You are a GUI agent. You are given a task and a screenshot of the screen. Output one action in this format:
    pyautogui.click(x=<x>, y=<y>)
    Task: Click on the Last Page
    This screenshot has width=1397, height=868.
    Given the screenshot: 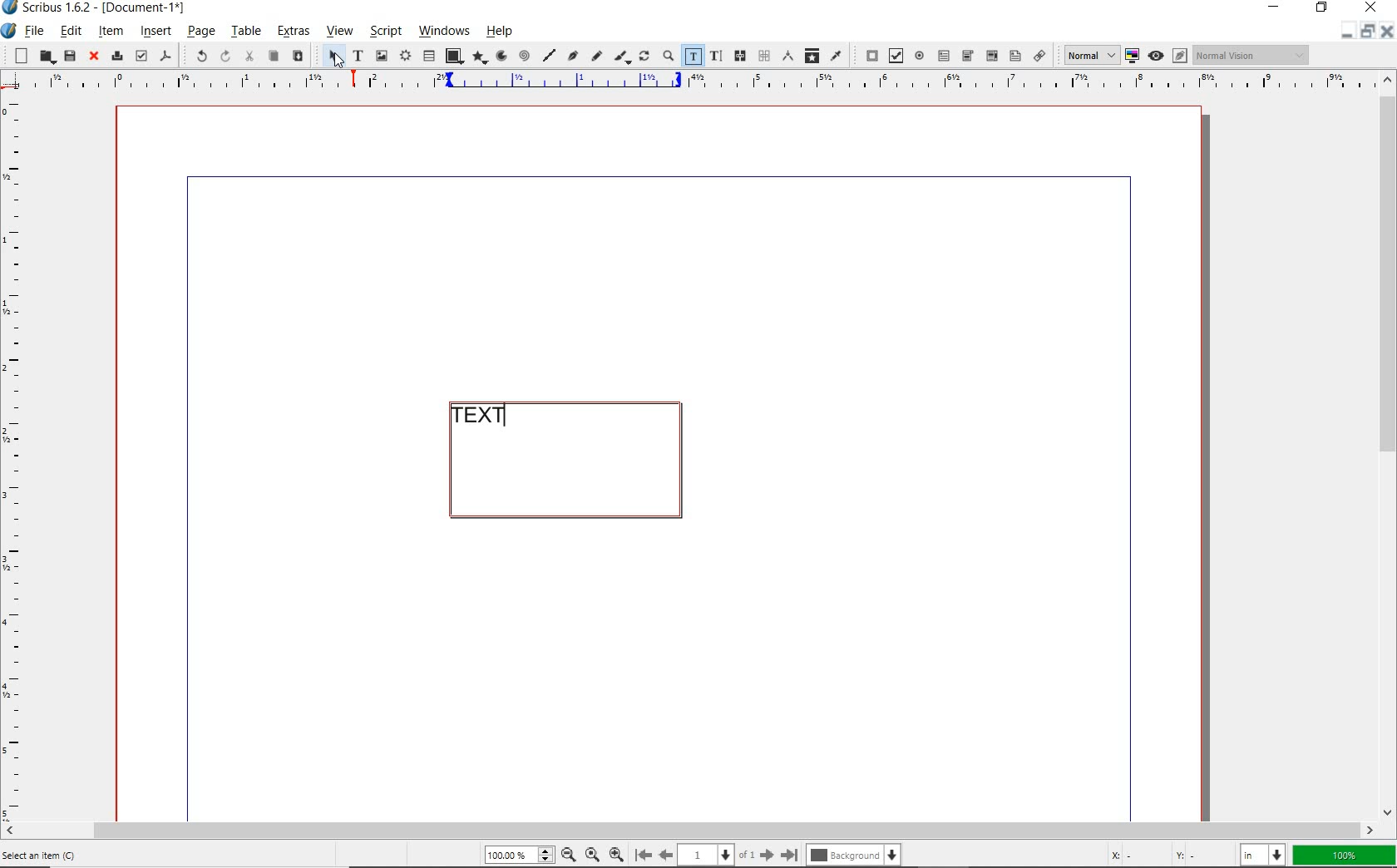 What is the action you would take?
    pyautogui.click(x=791, y=855)
    